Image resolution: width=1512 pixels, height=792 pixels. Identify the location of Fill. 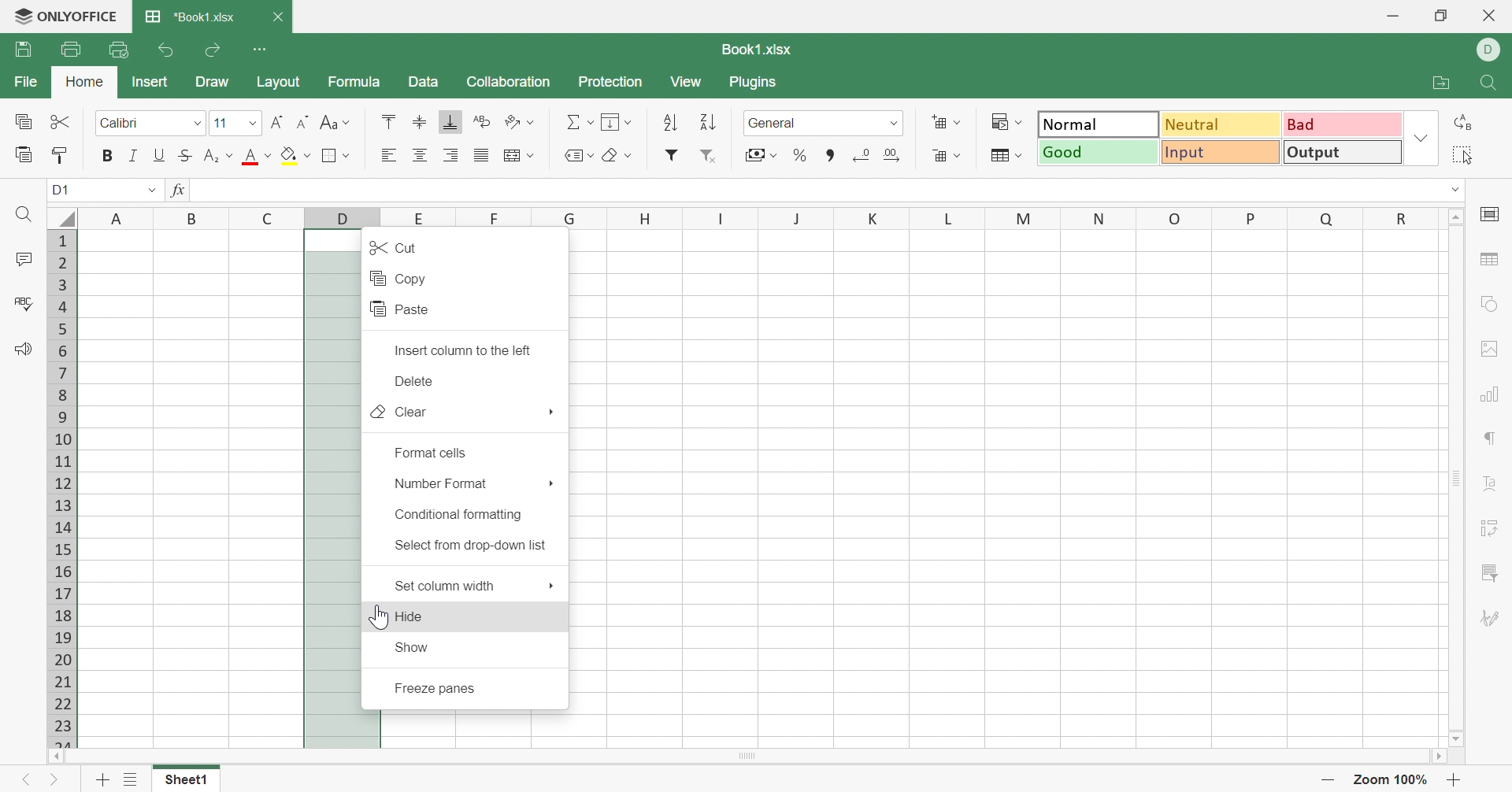
(610, 120).